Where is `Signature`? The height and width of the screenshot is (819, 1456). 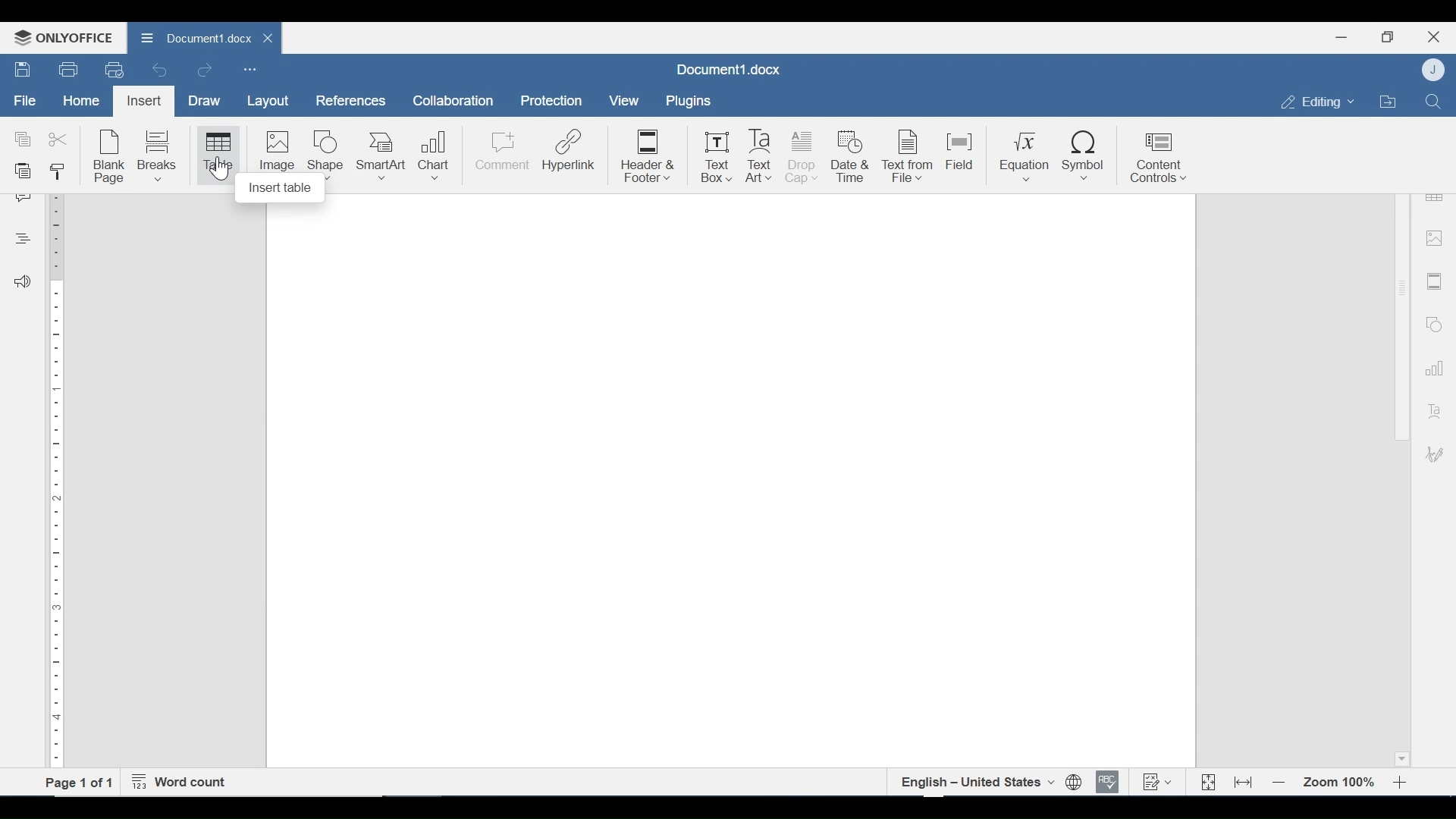 Signature is located at coordinates (1432, 456).